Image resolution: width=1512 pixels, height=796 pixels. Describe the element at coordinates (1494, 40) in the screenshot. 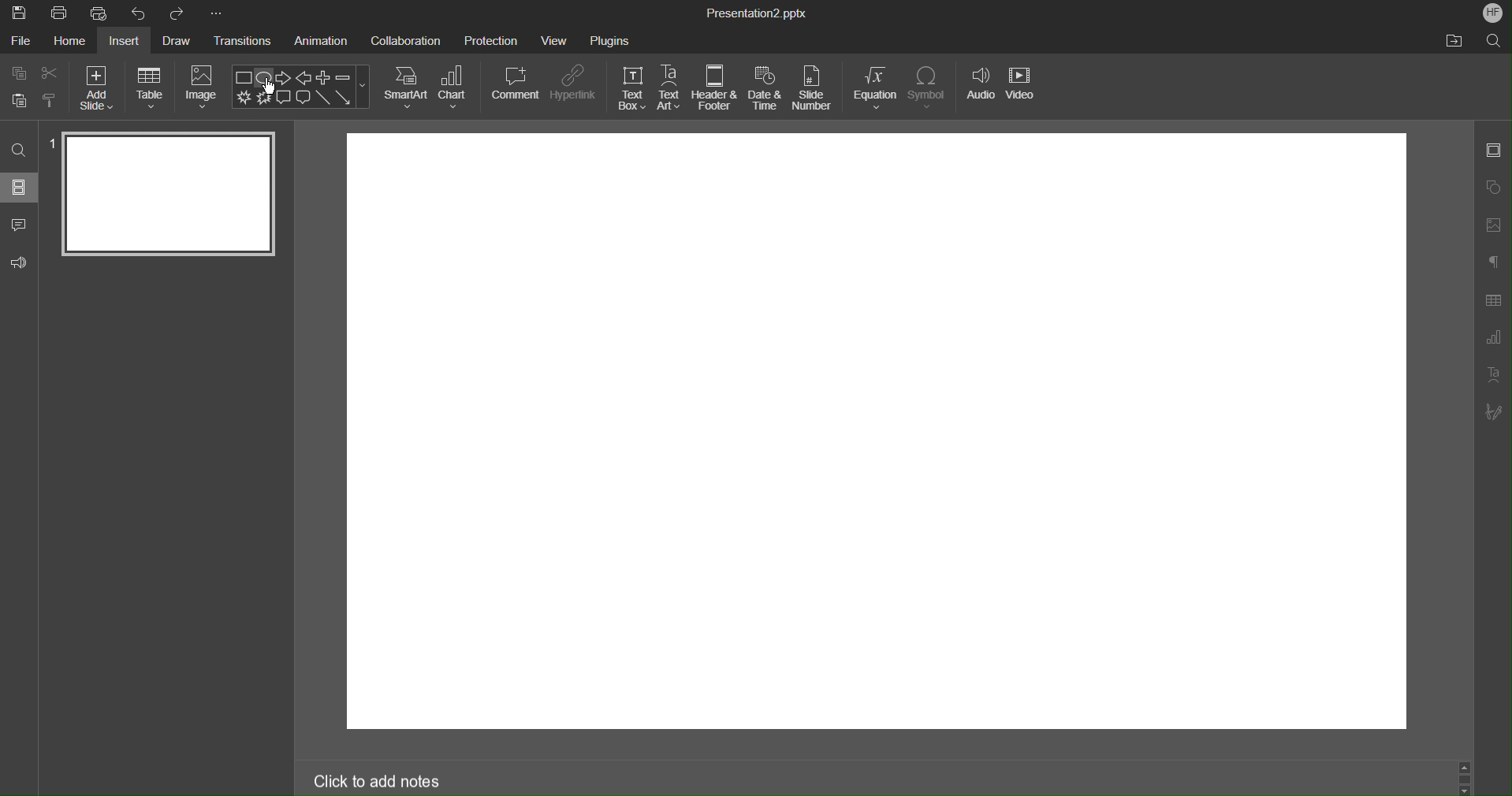

I see `Search` at that location.